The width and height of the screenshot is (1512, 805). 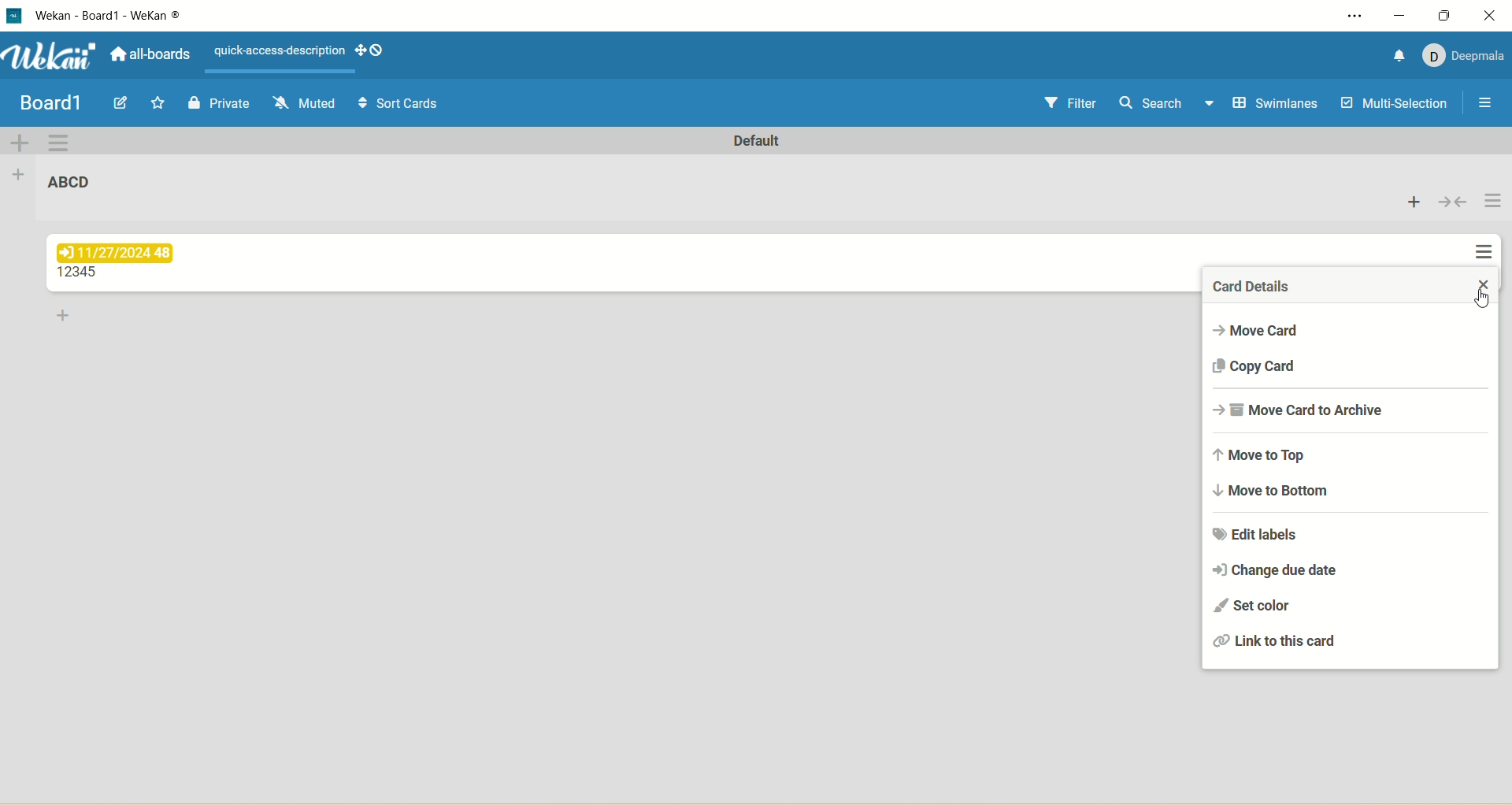 I want to click on move to top, so click(x=1270, y=452).